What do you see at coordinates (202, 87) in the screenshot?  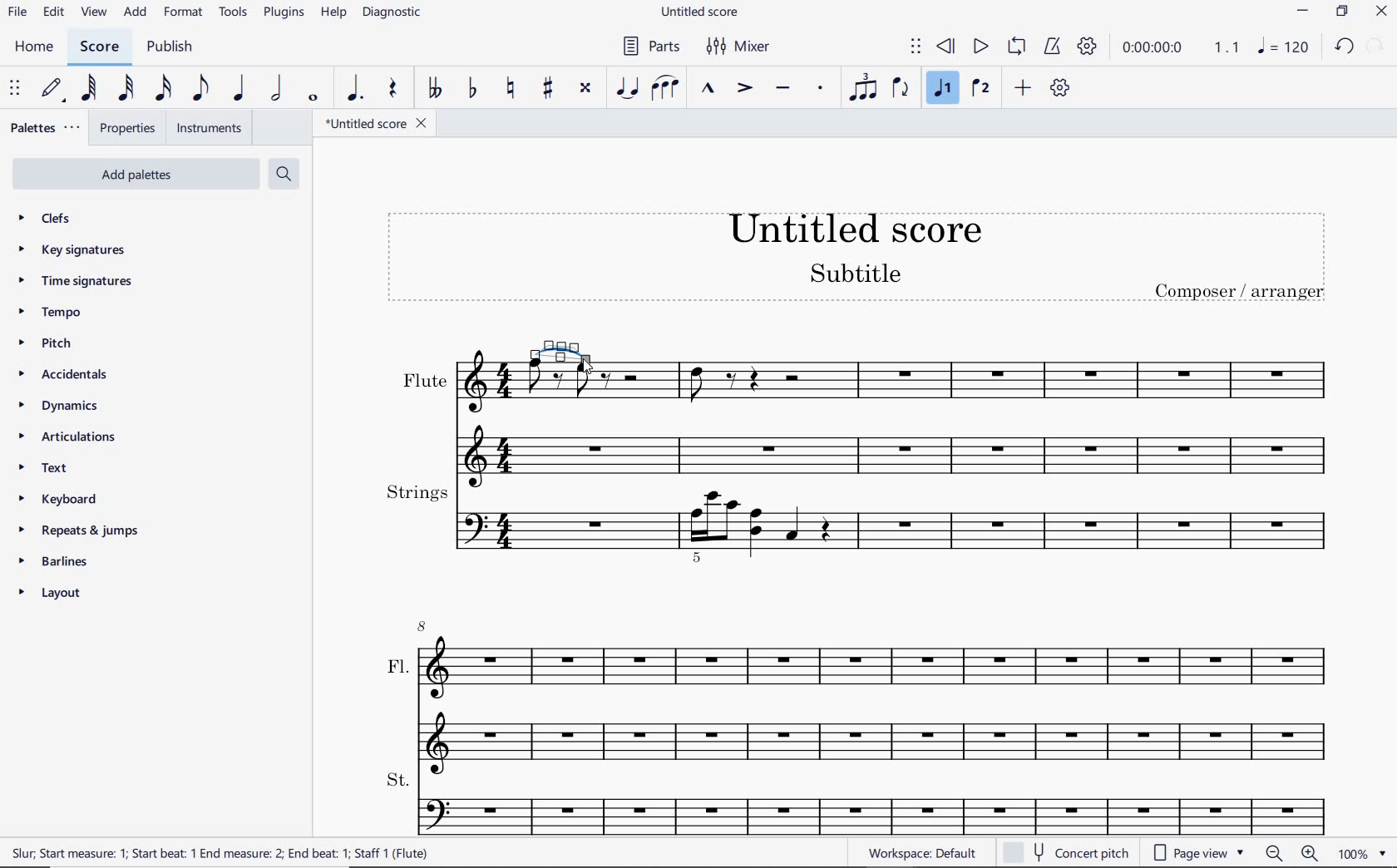 I see `EIGHTH NOTE` at bounding box center [202, 87].